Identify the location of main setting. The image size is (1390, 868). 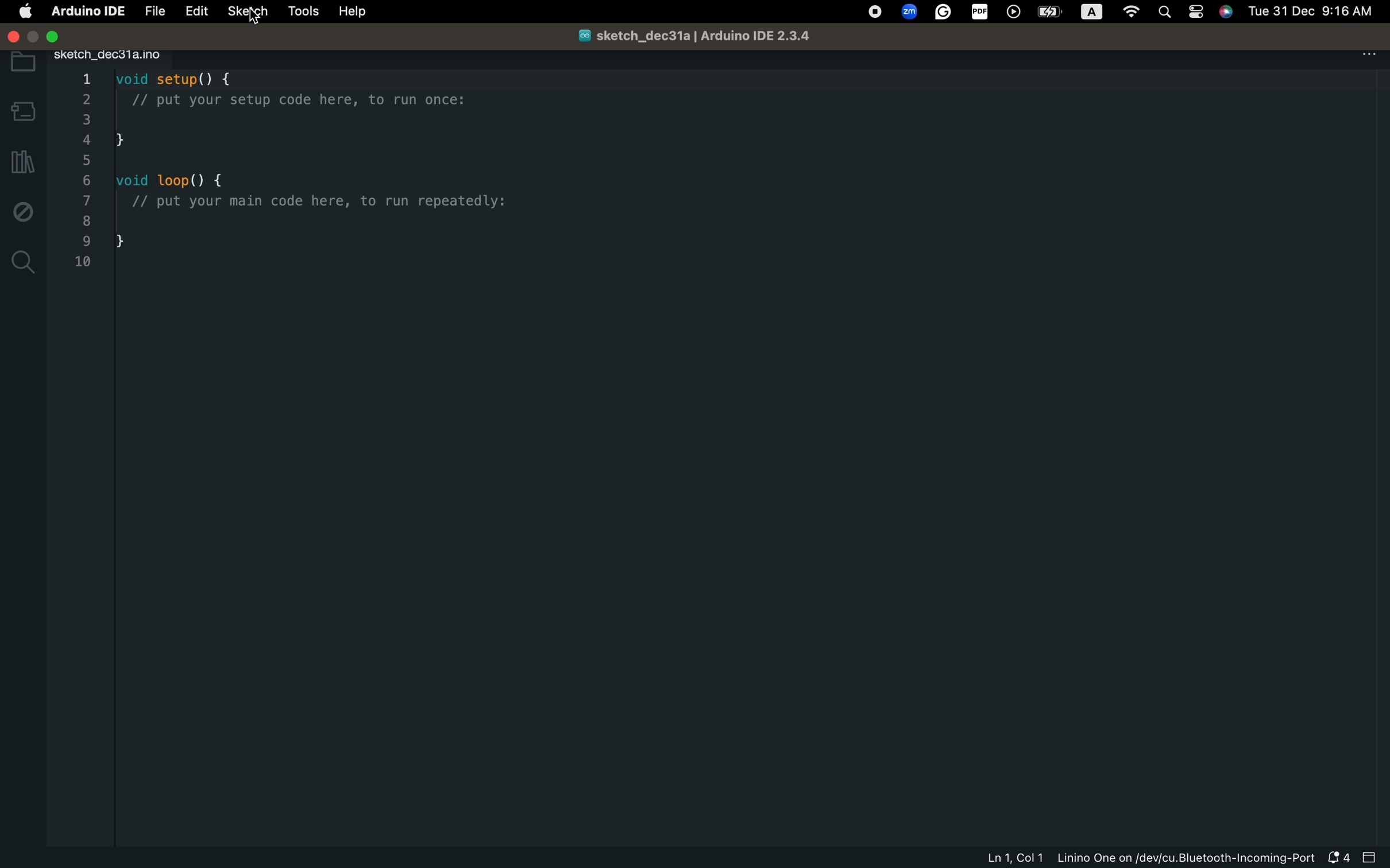
(26, 13).